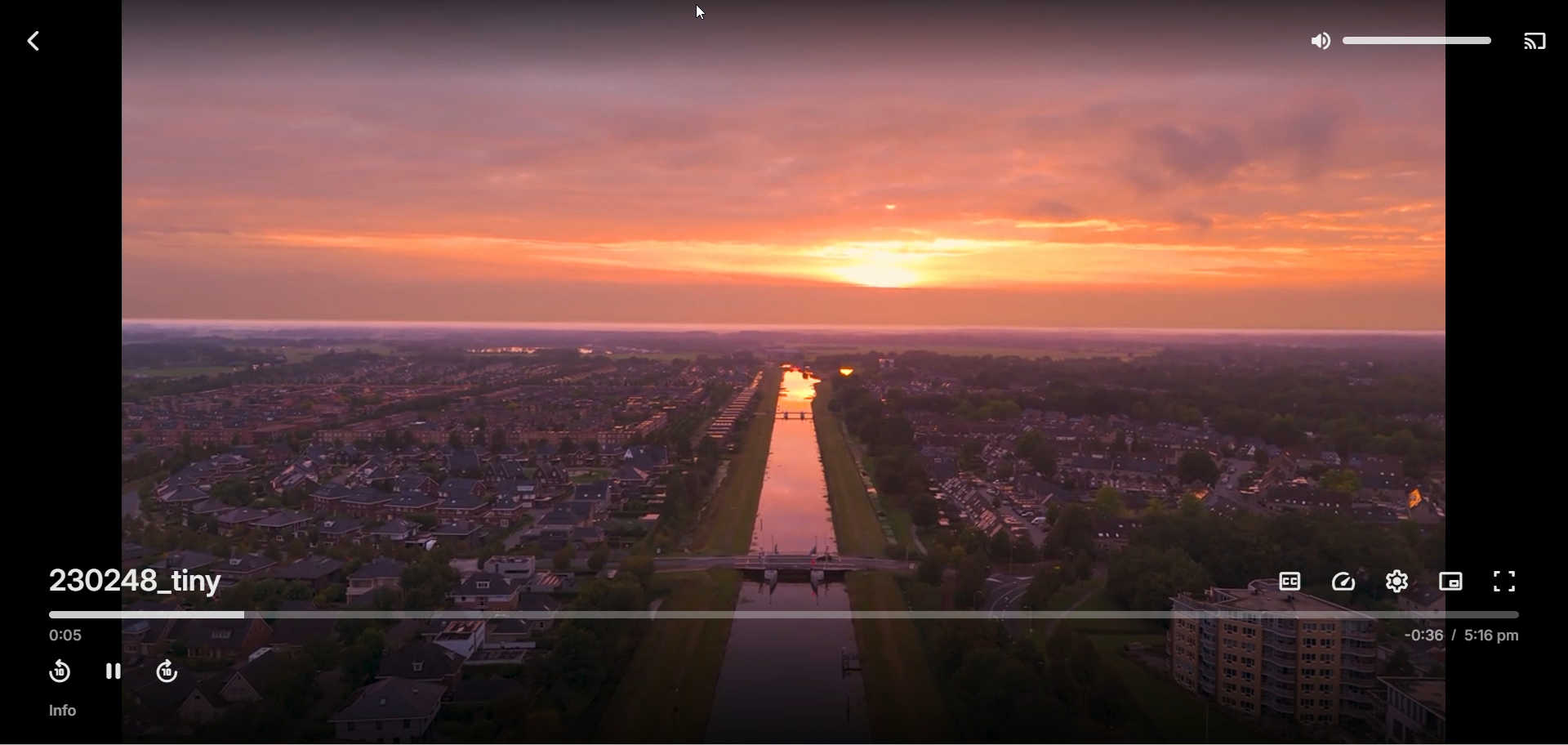 Image resolution: width=1568 pixels, height=745 pixels. What do you see at coordinates (67, 638) in the screenshot?
I see `played time 0.05` at bounding box center [67, 638].